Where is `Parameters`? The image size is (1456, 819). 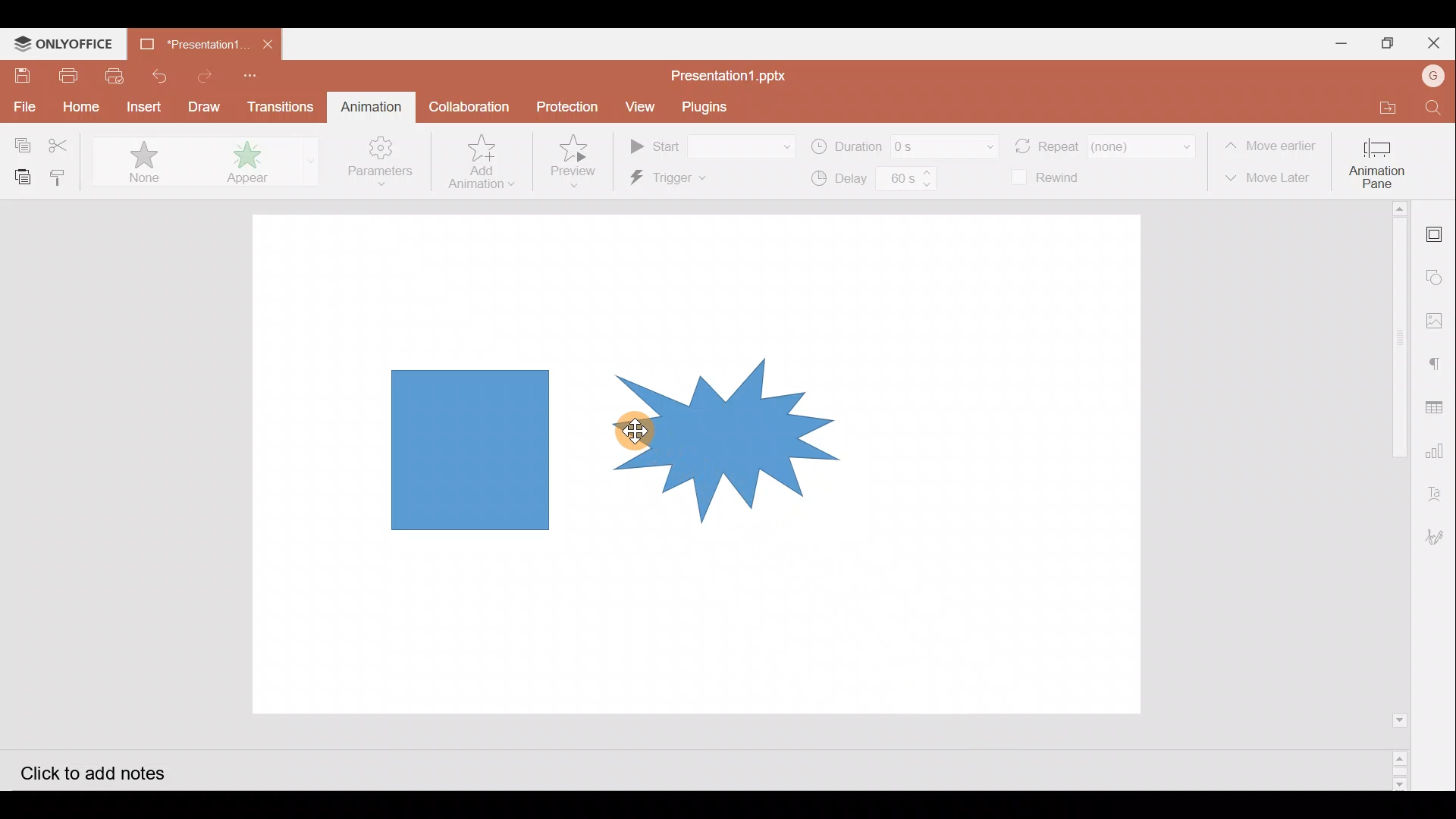
Parameters is located at coordinates (378, 165).